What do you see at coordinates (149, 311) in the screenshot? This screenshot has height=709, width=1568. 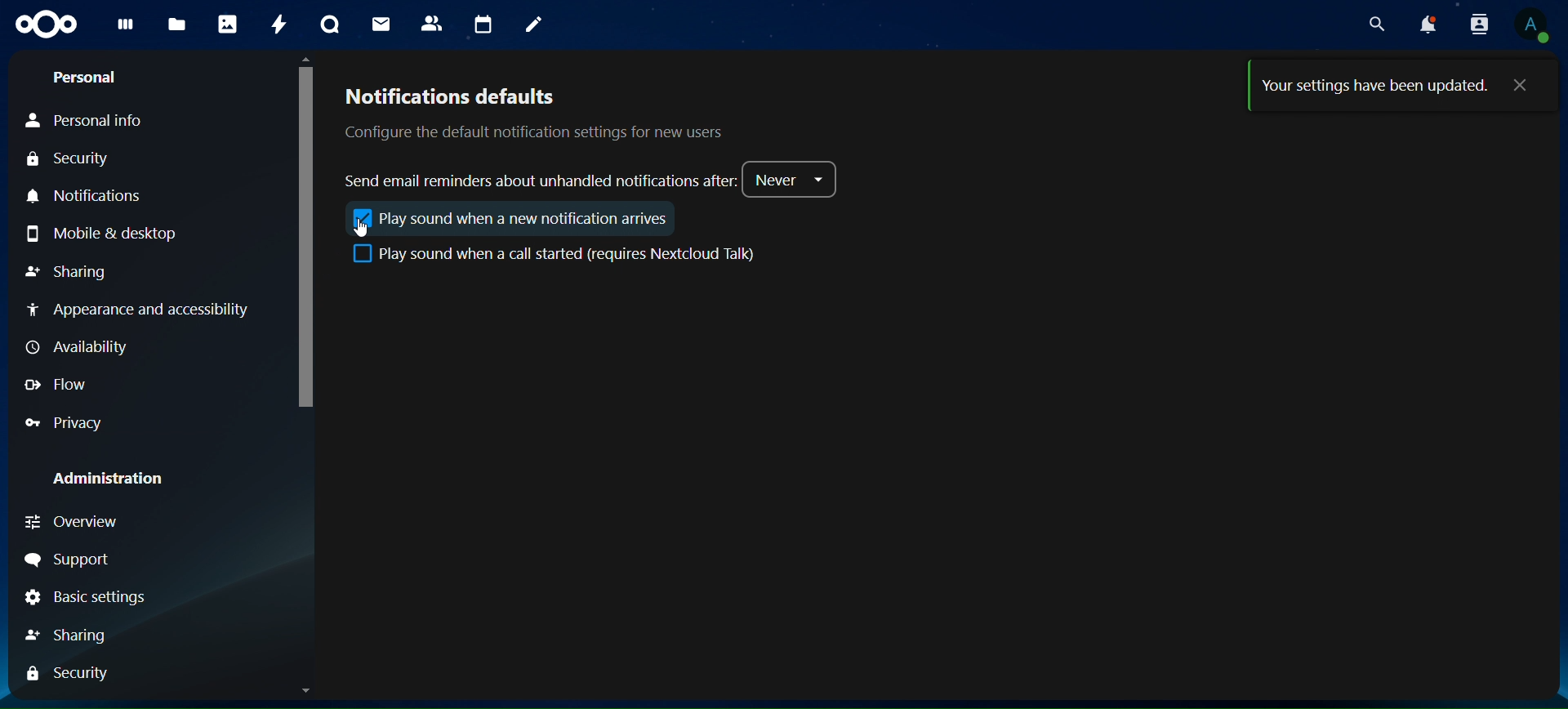 I see `Appearance and accessibility` at bounding box center [149, 311].